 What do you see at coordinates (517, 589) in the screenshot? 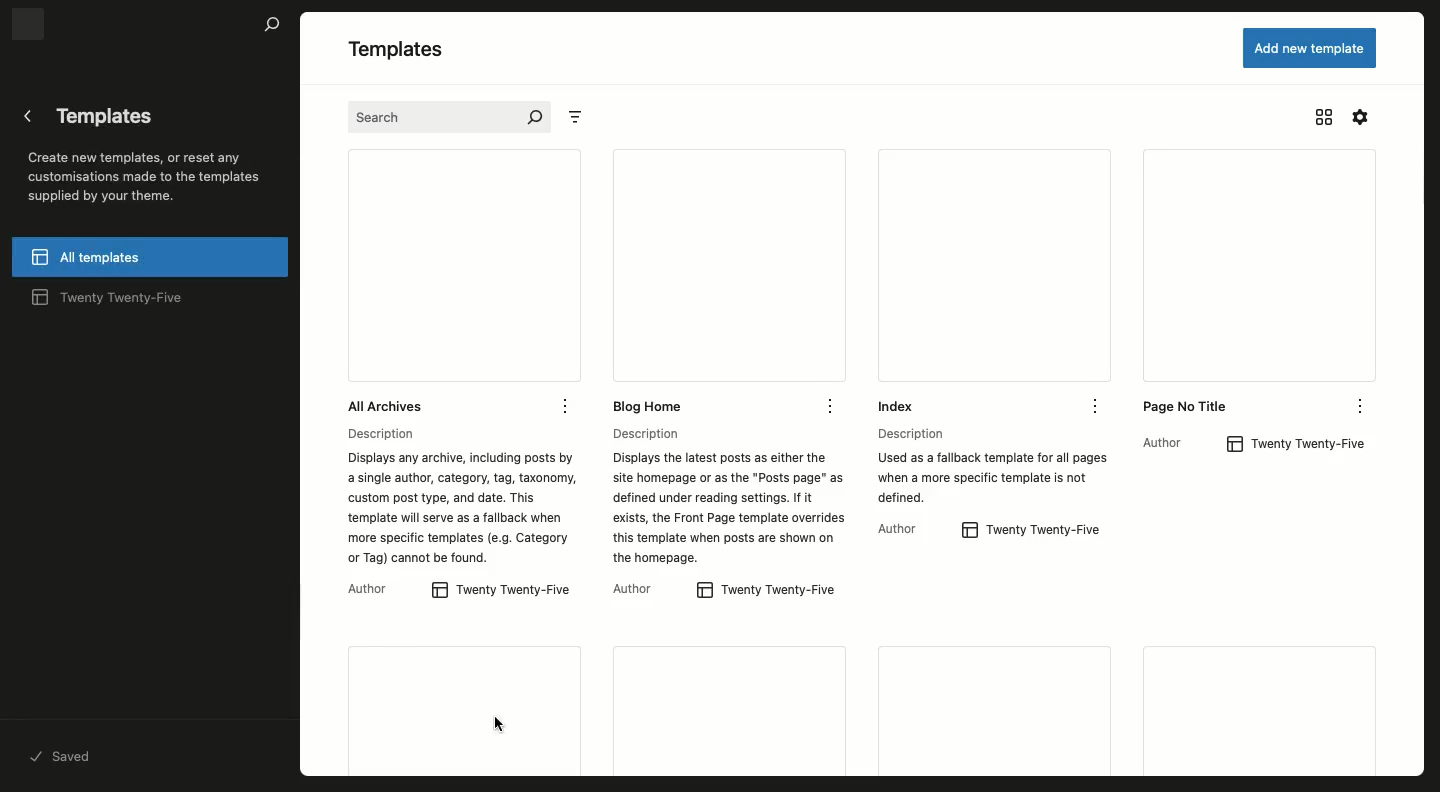
I see `2025` at bounding box center [517, 589].